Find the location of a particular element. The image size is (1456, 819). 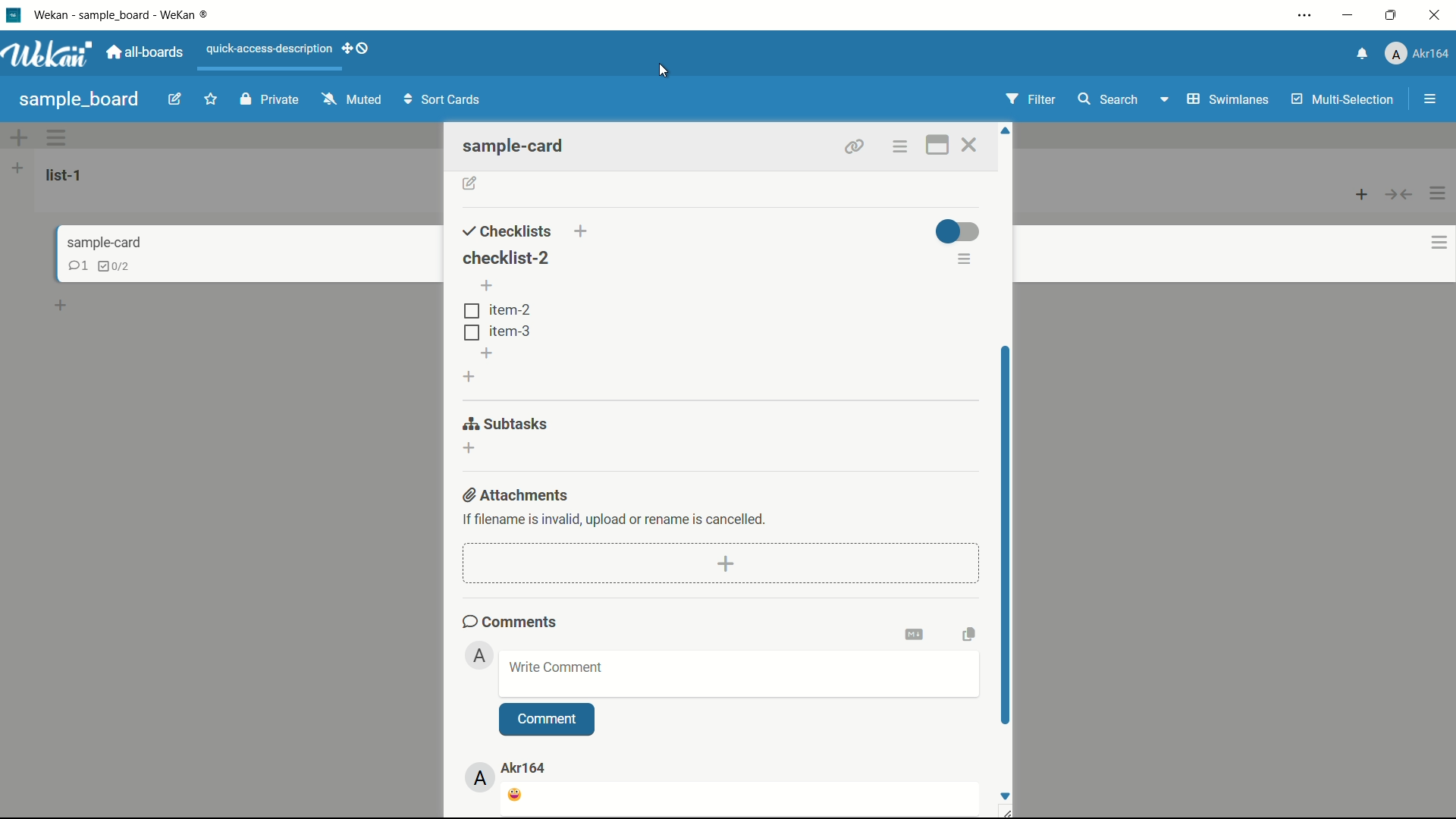

add checklist is located at coordinates (583, 231).